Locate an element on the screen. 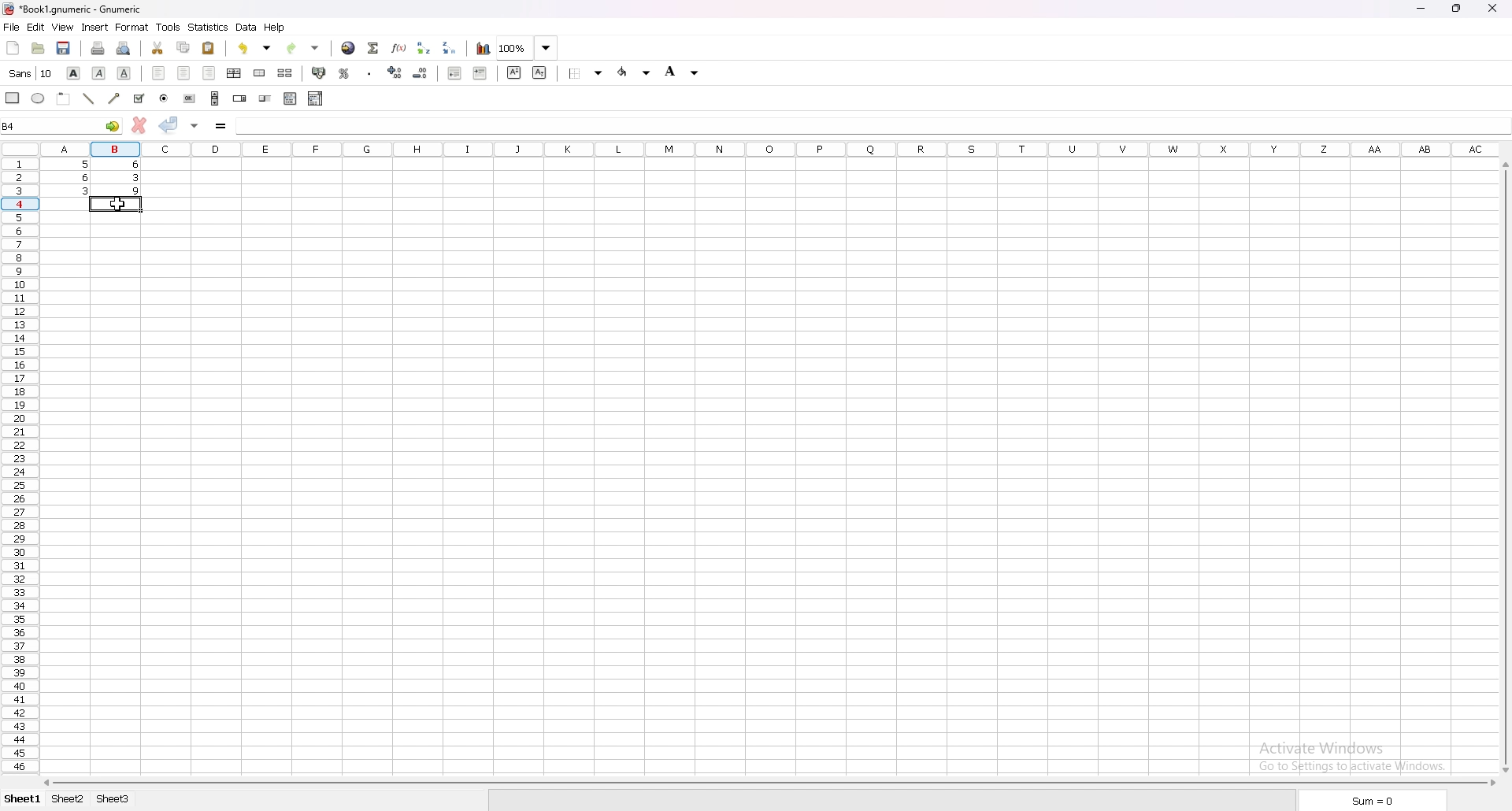  font is located at coordinates (31, 73).